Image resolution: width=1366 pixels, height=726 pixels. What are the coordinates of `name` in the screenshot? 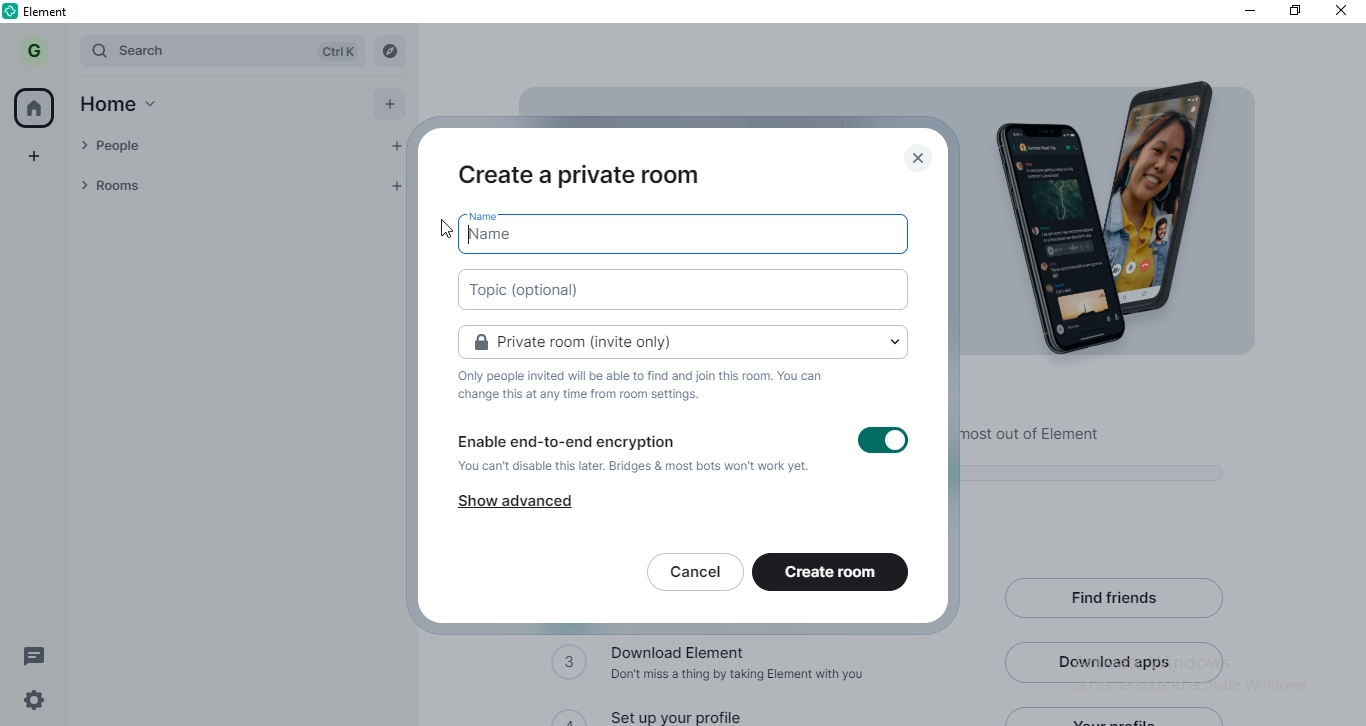 It's located at (687, 234).